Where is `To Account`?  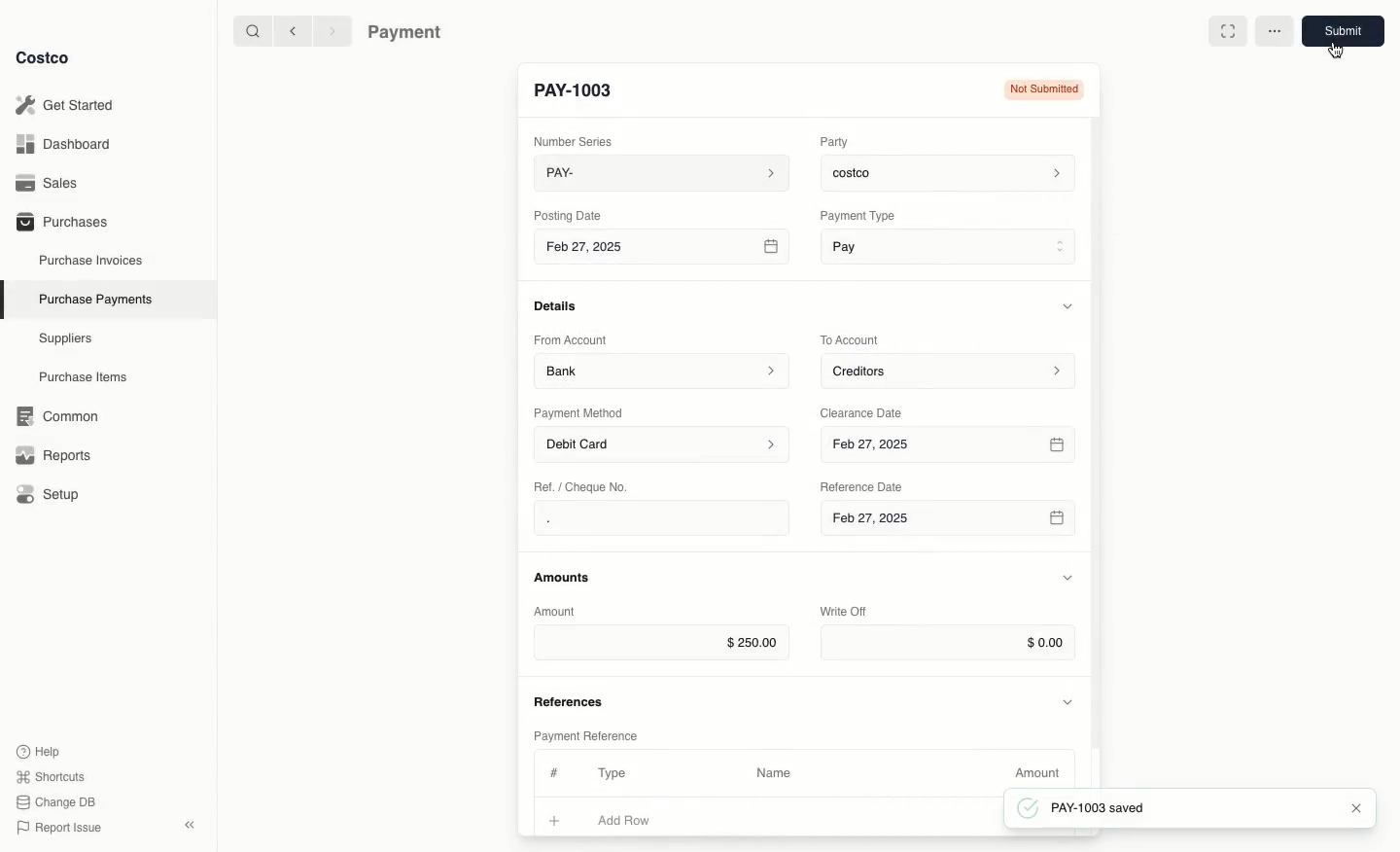 To Account is located at coordinates (852, 339).